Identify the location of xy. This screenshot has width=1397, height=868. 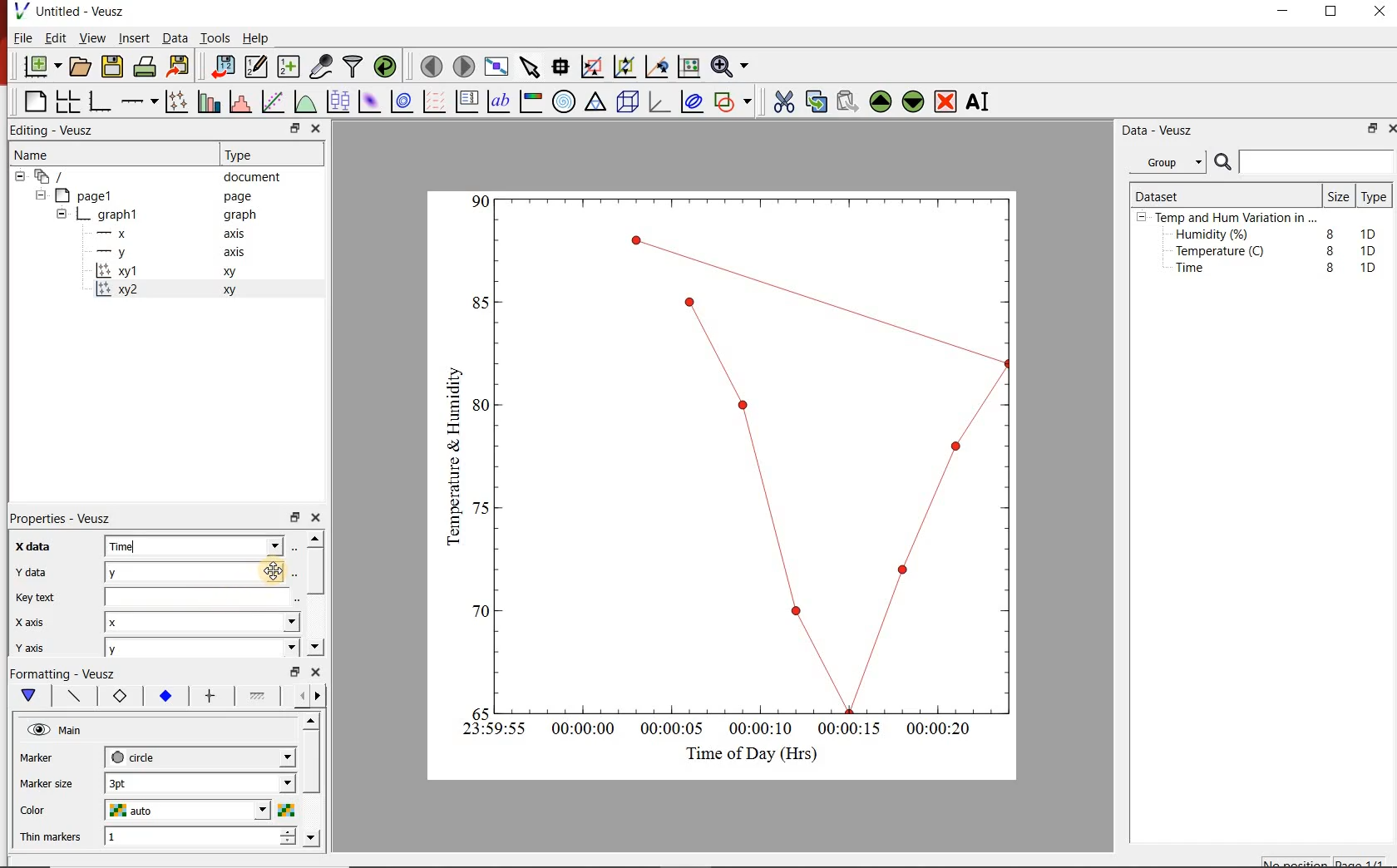
(233, 290).